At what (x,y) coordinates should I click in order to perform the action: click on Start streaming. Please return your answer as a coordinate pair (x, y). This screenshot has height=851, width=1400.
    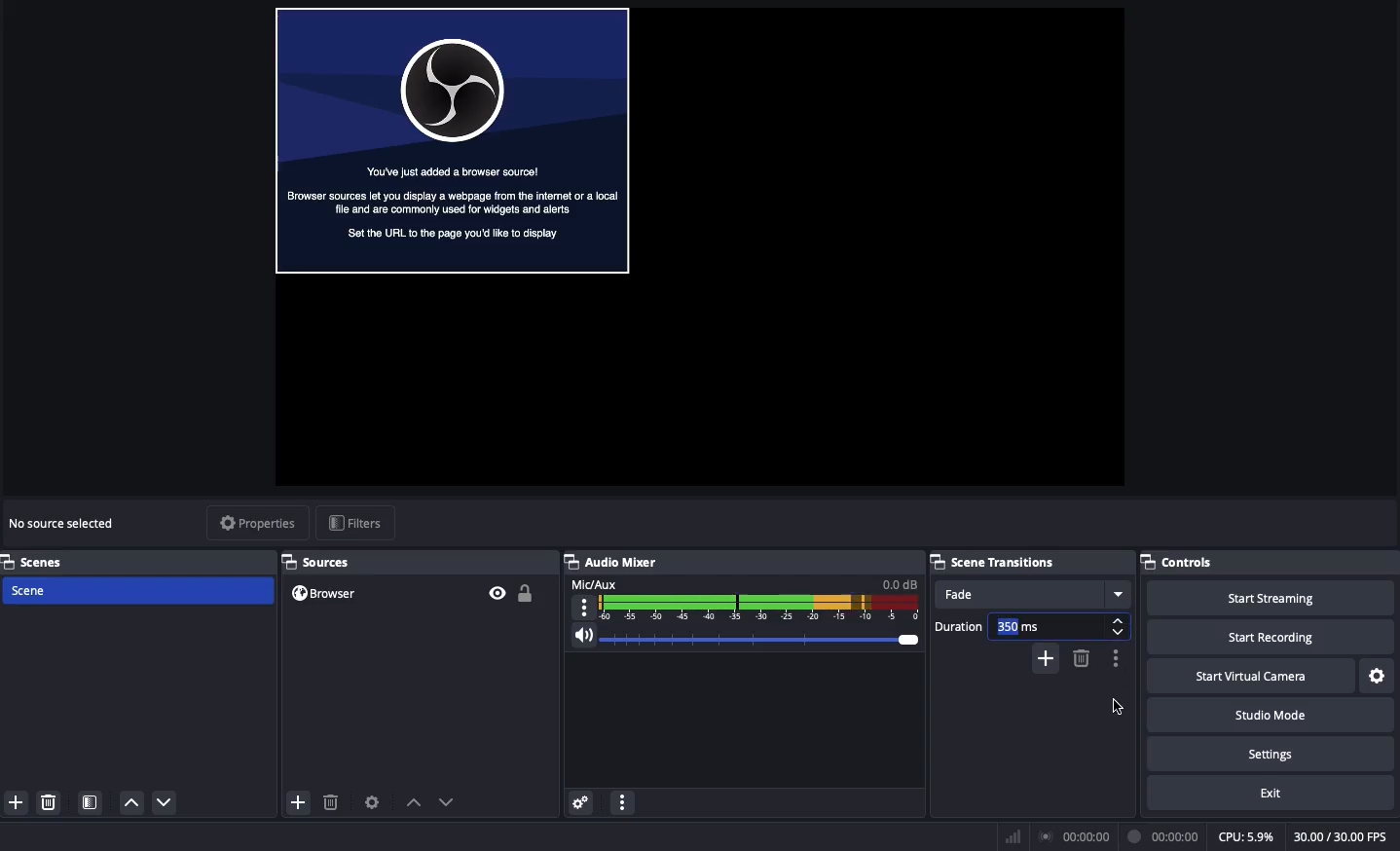
    Looking at the image, I should click on (1266, 597).